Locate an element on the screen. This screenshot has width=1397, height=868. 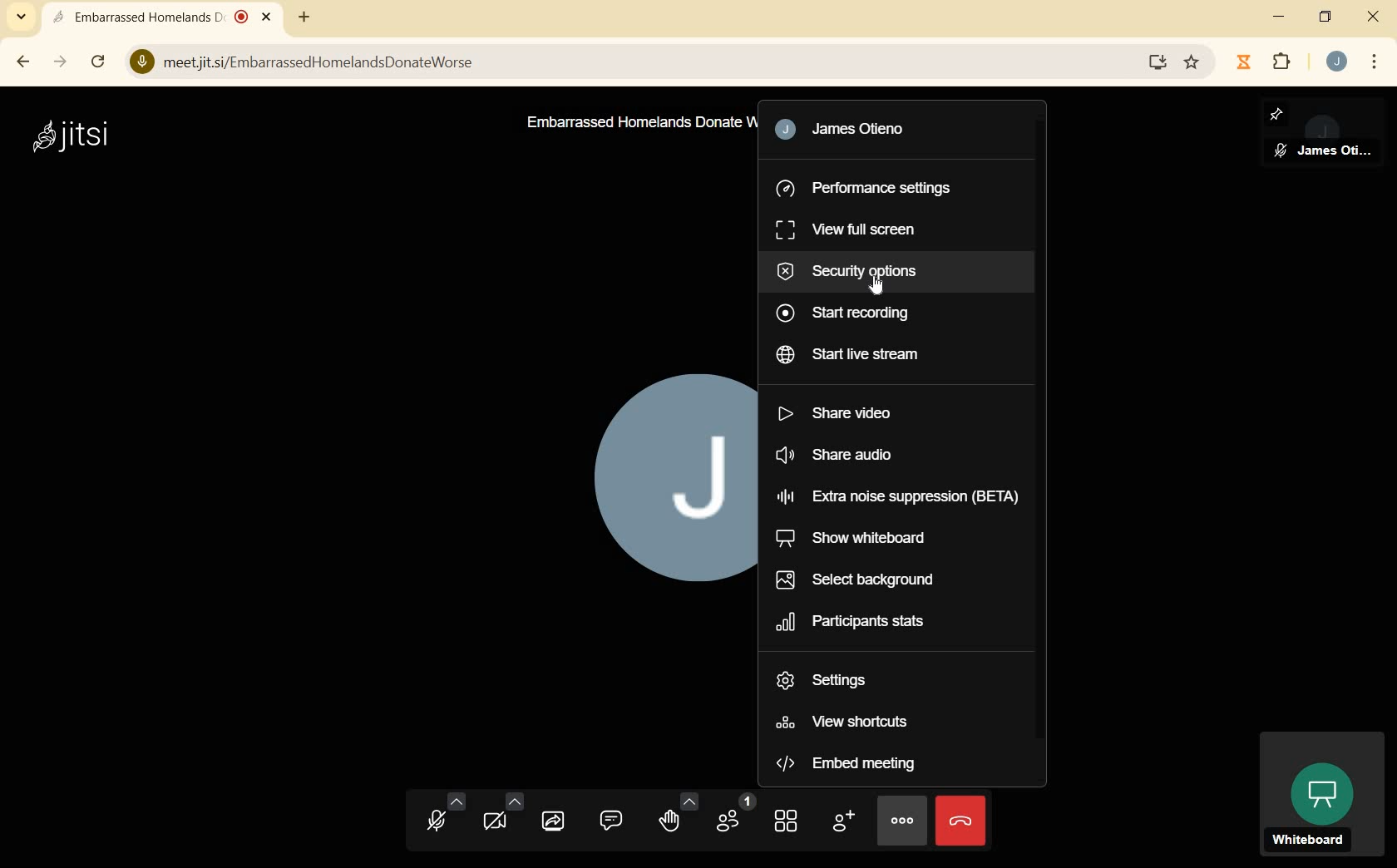
PERFORMANCE SETTINGS is located at coordinates (864, 190).